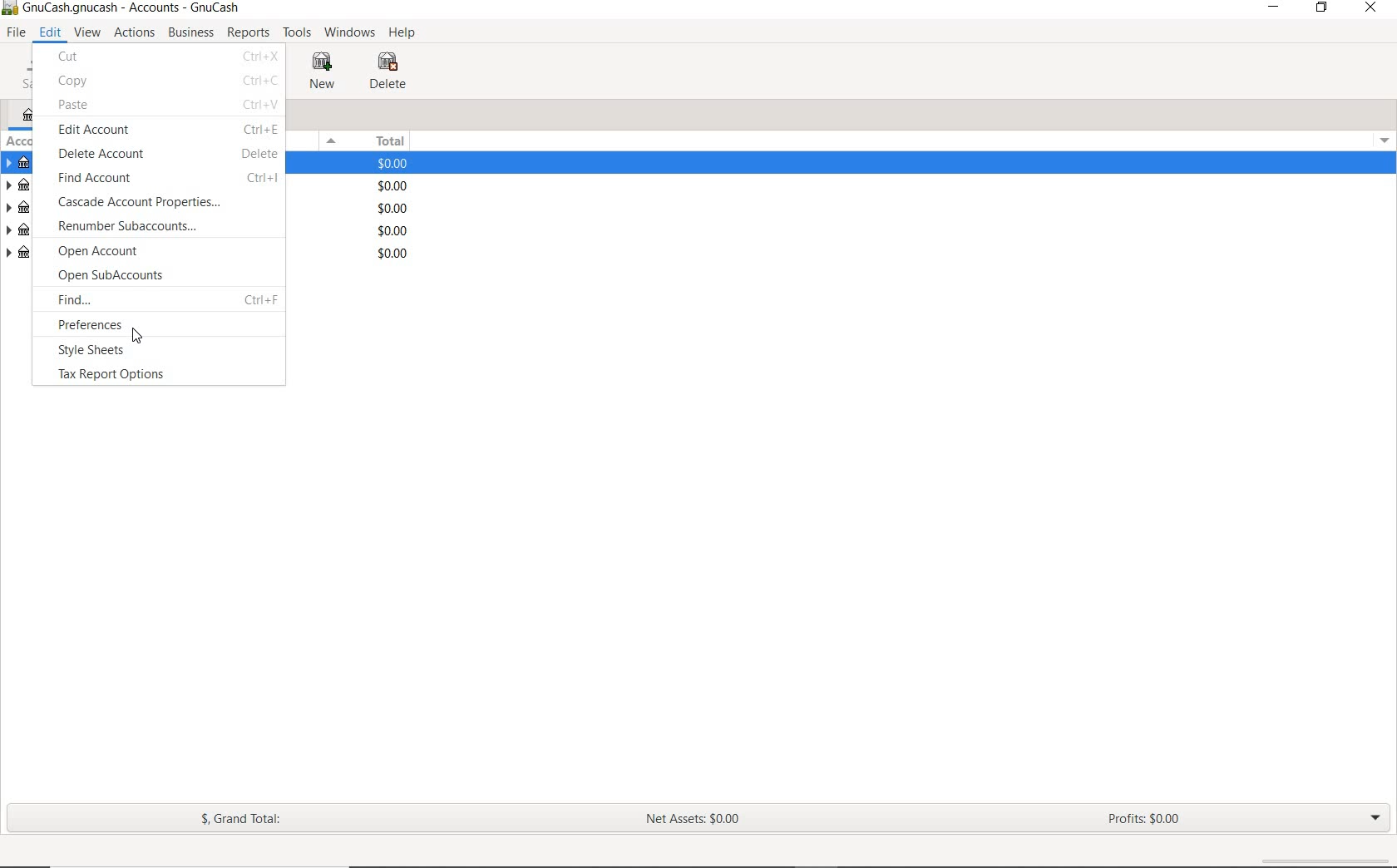 The image size is (1397, 868). I want to click on STYLE SHEETS, so click(114, 350).